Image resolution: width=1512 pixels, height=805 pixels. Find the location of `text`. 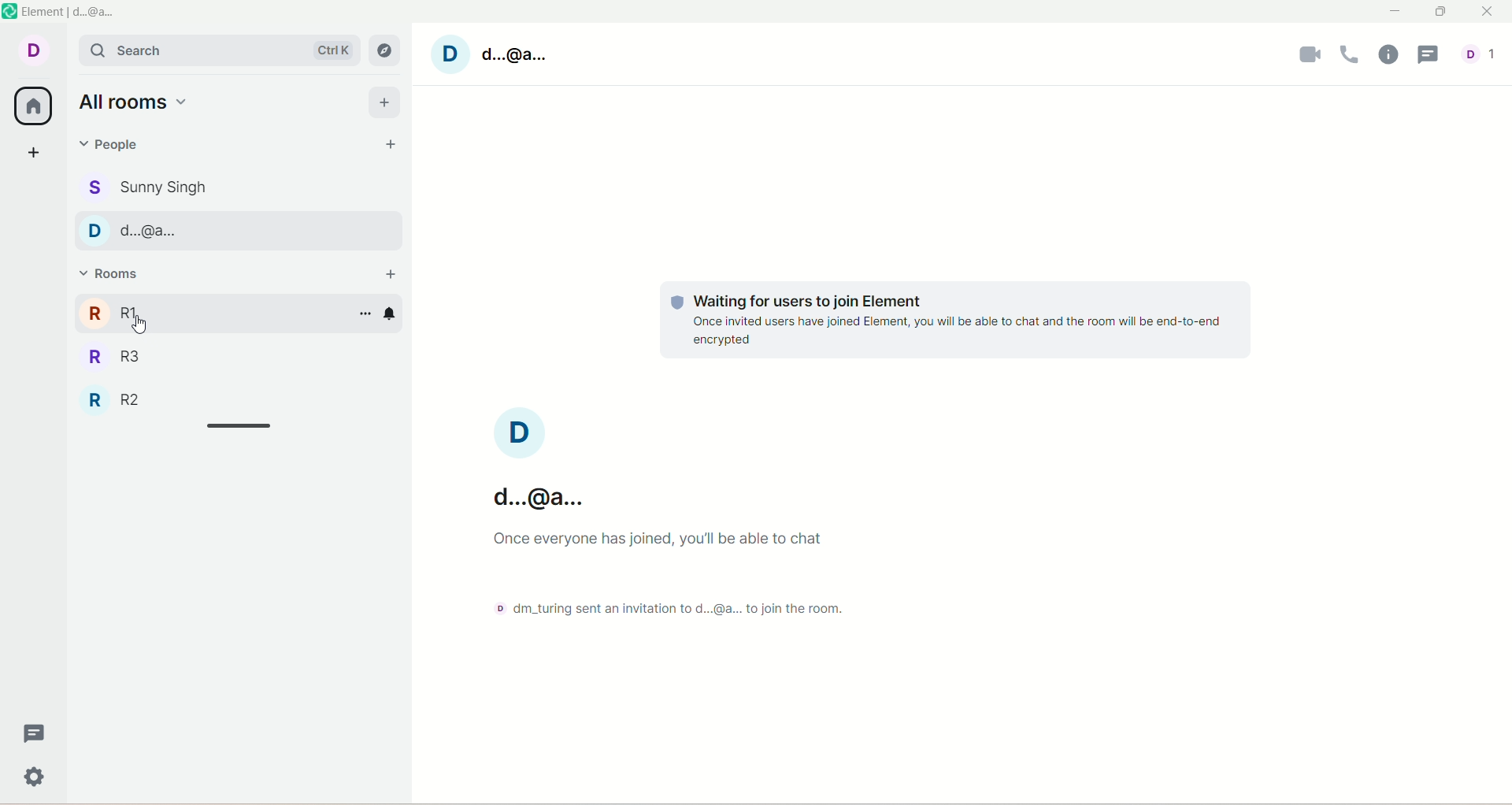

text is located at coordinates (545, 455).